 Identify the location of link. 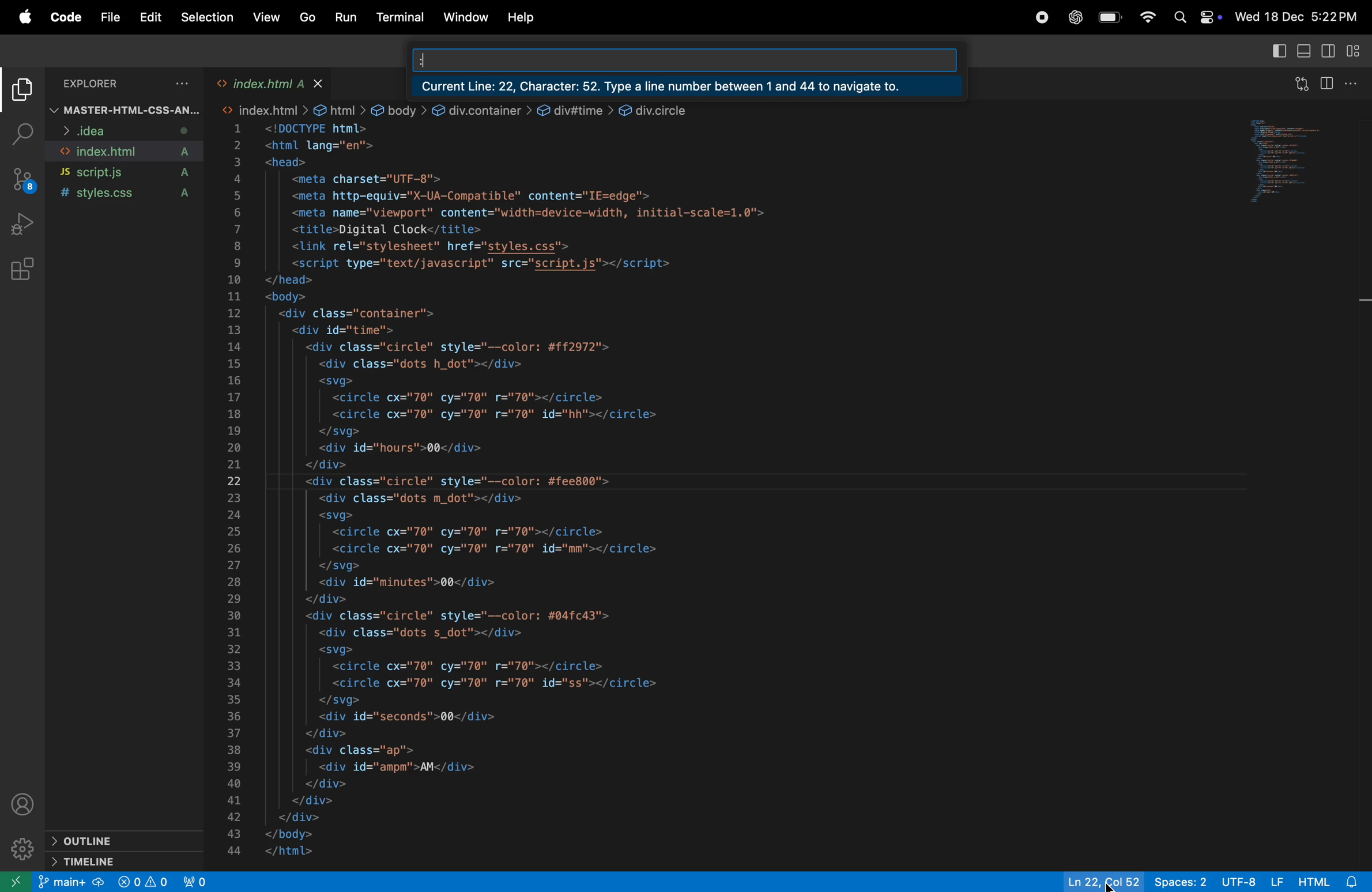
(483, 108).